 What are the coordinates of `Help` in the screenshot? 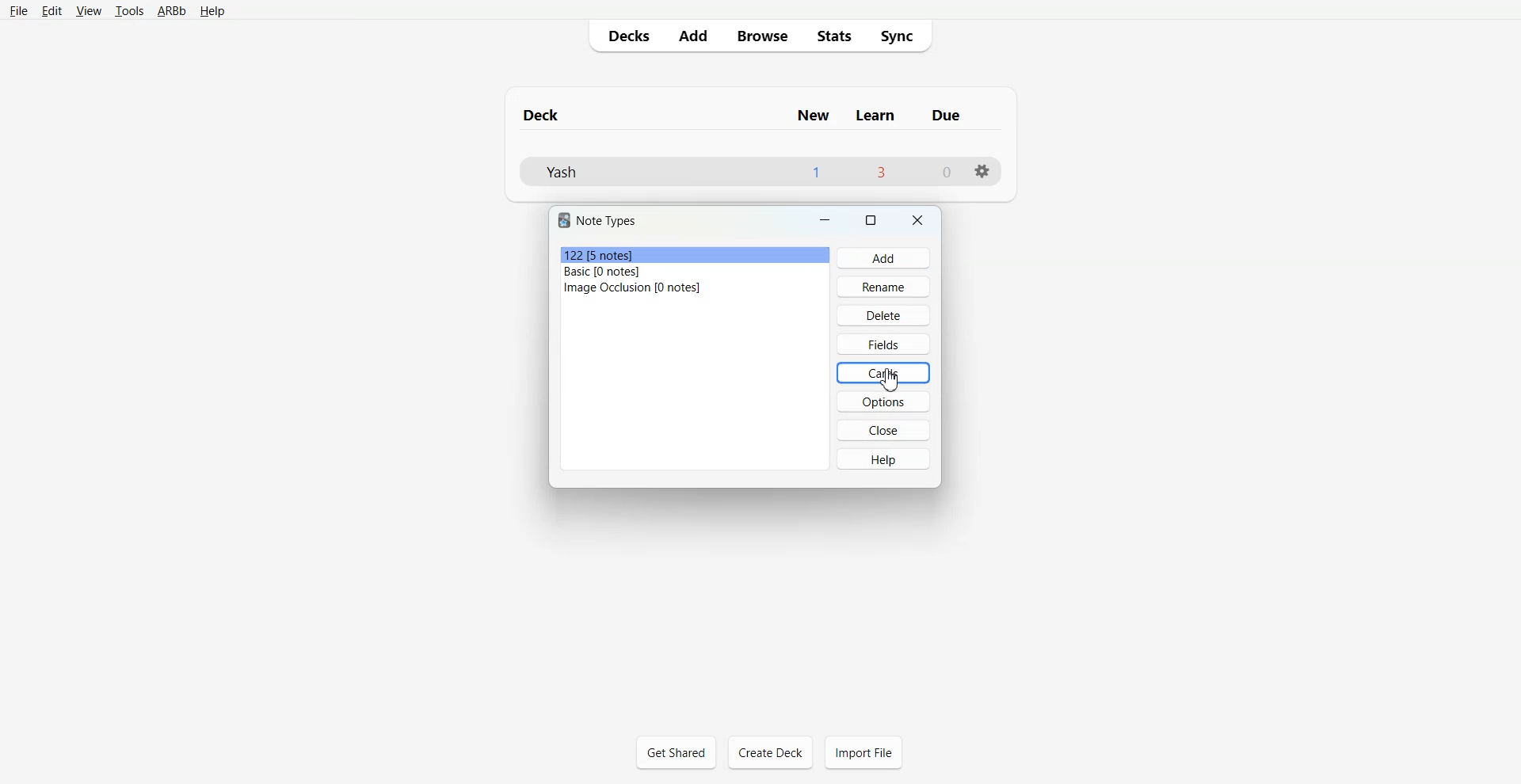 It's located at (886, 459).